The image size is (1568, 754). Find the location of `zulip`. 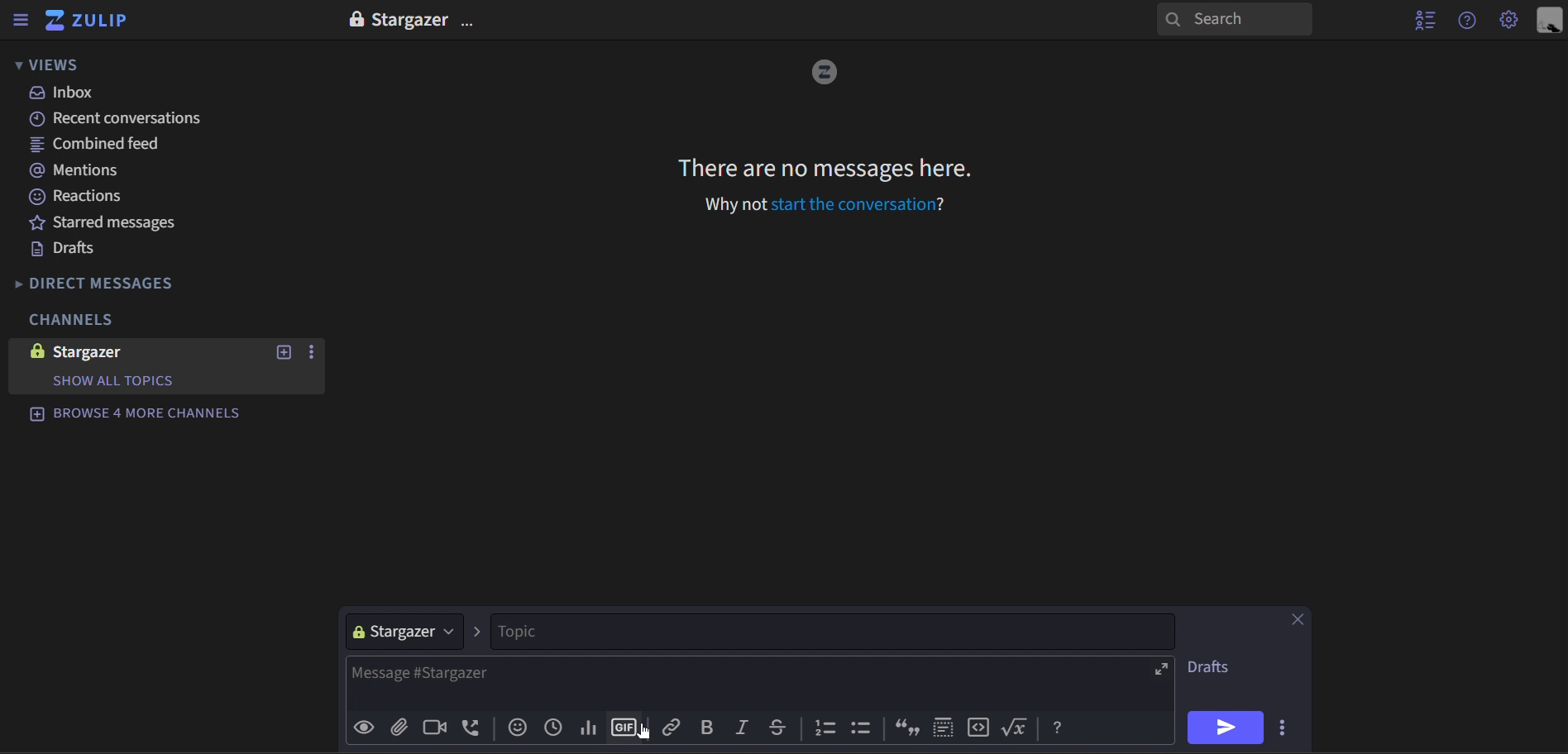

zulip is located at coordinates (89, 21).